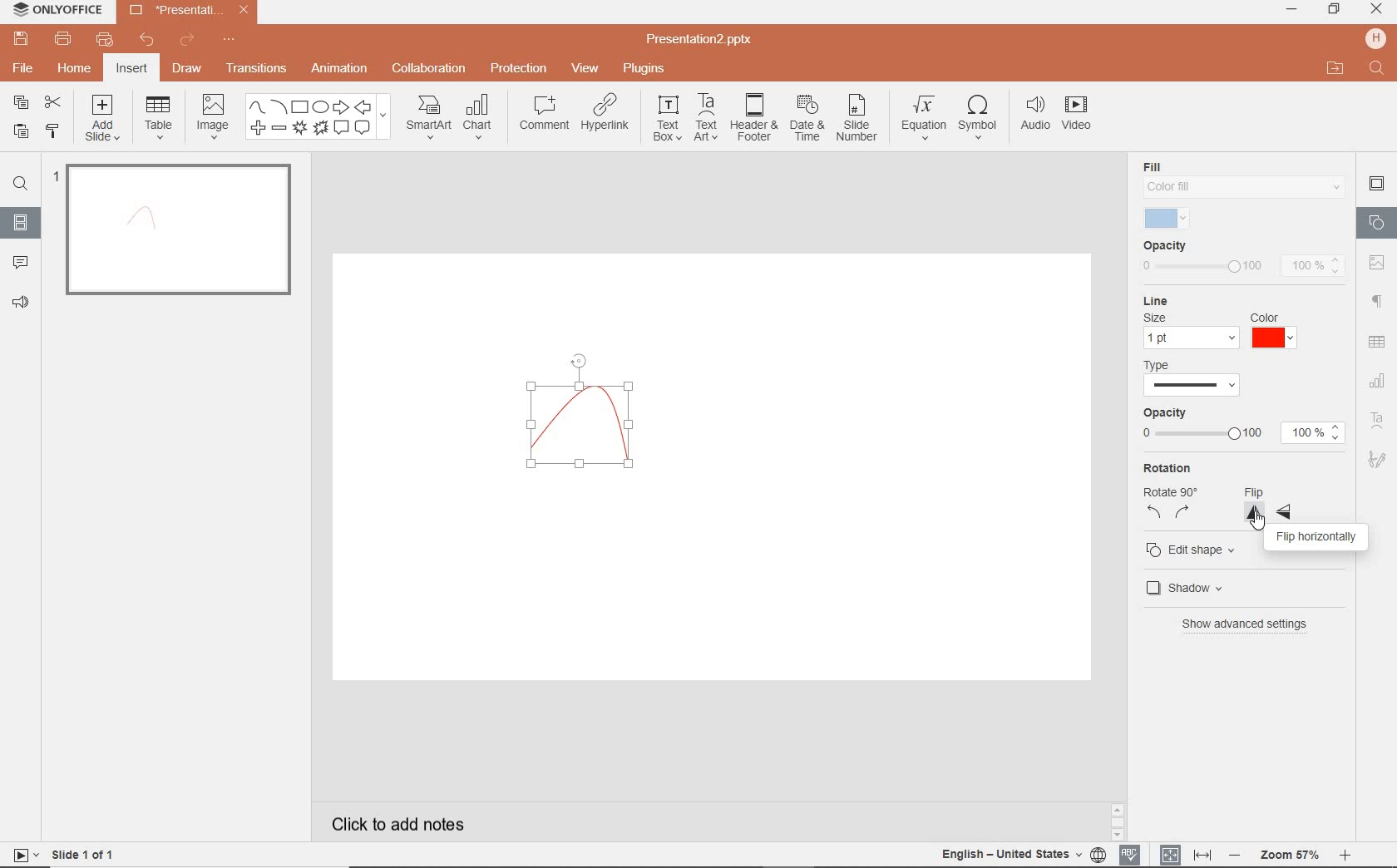 This screenshot has height=868, width=1397. What do you see at coordinates (481, 119) in the screenshot?
I see `CHART` at bounding box center [481, 119].